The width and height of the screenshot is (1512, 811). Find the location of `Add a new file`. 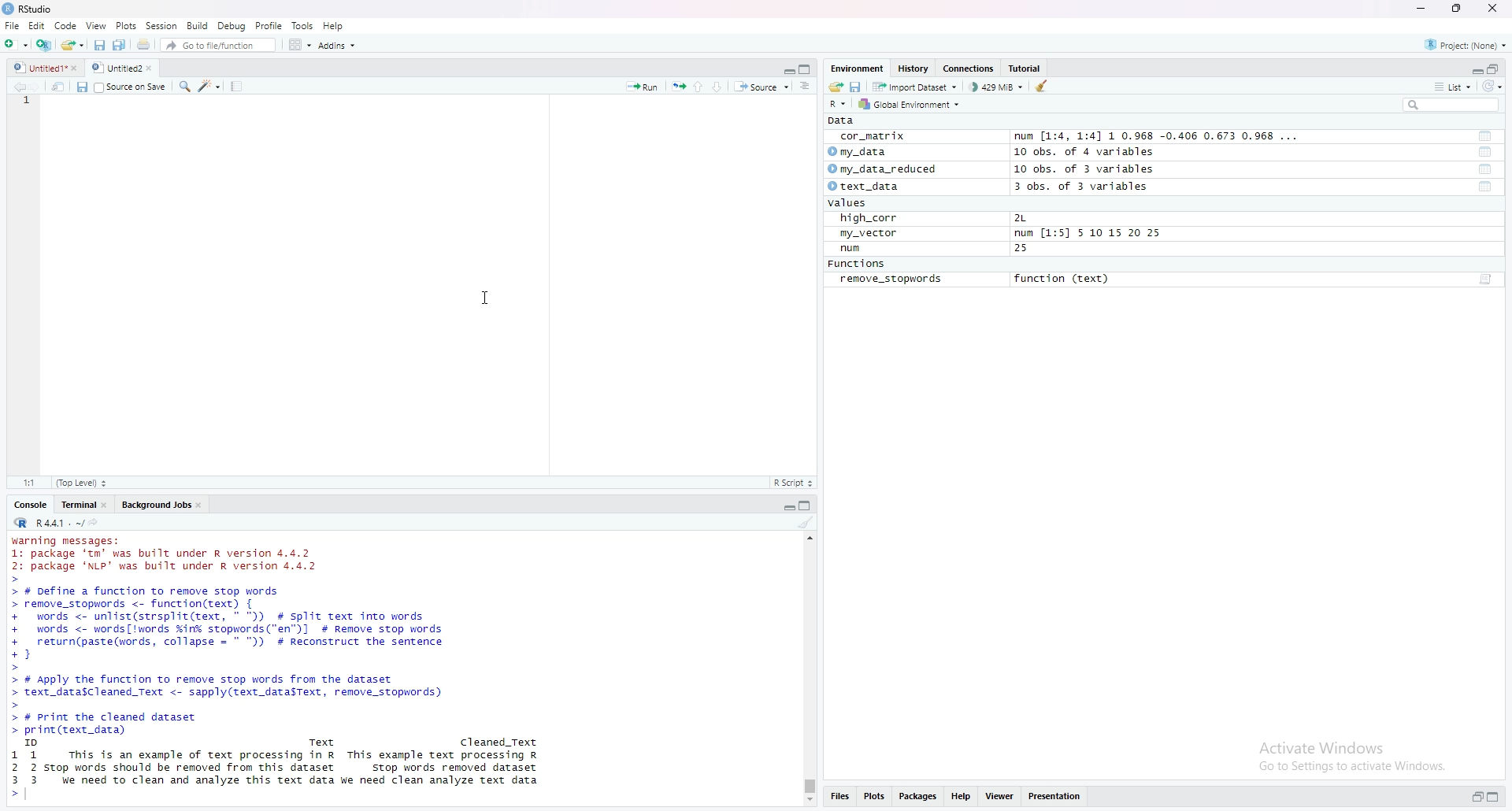

Add a new file is located at coordinates (14, 44).